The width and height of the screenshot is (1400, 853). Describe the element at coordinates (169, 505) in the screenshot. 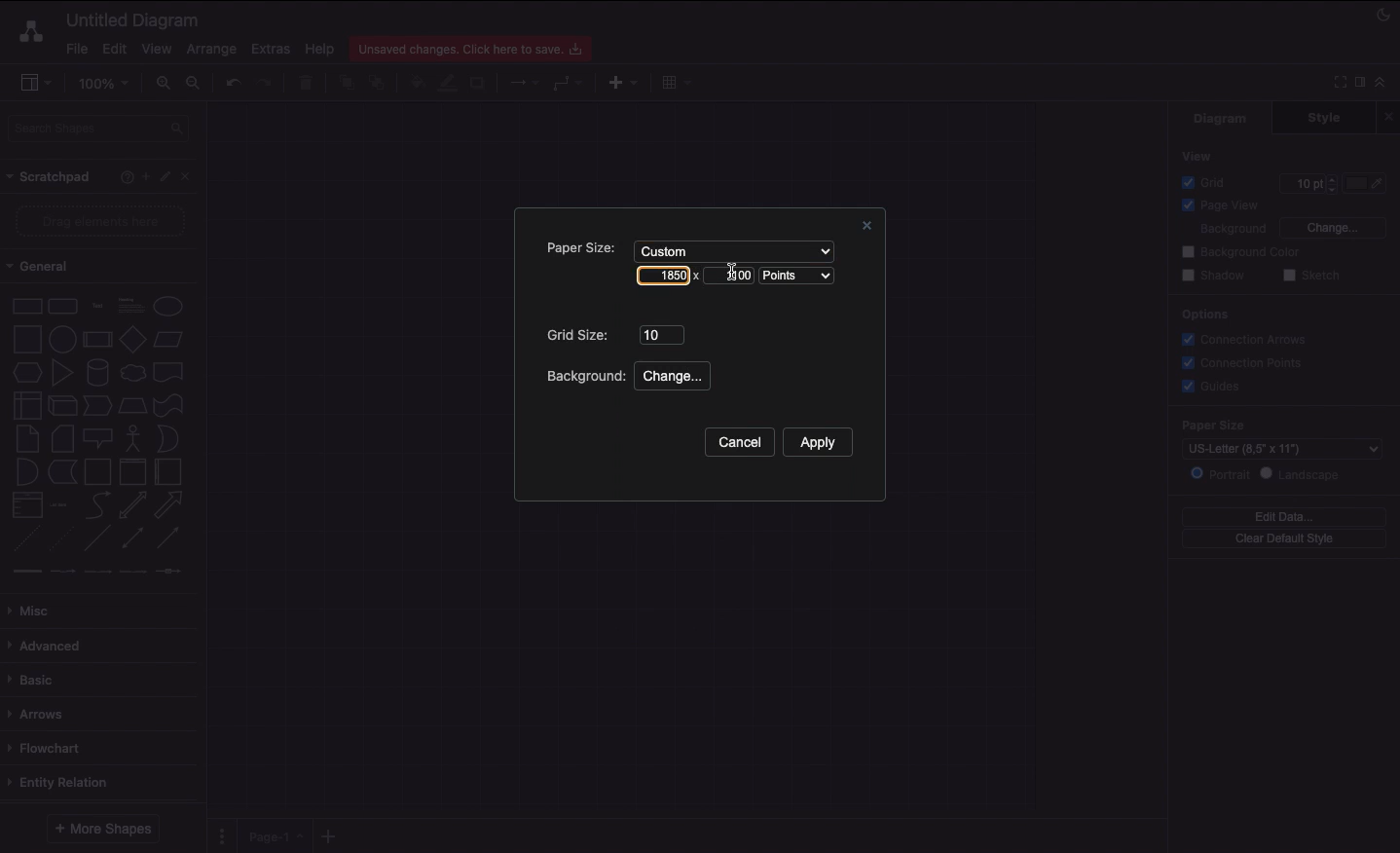

I see `Arrow` at that location.